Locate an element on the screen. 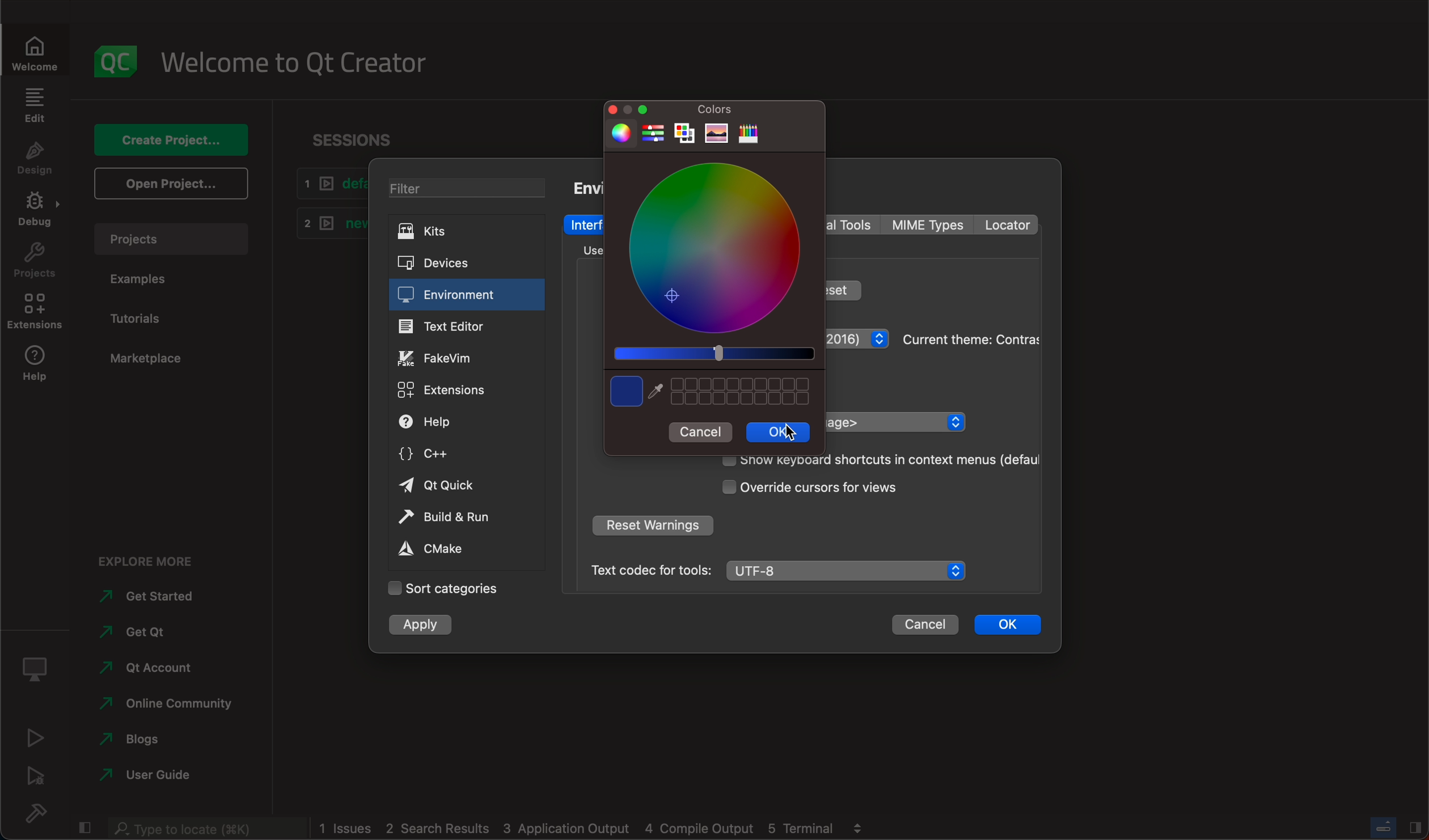  reset warnings is located at coordinates (652, 527).